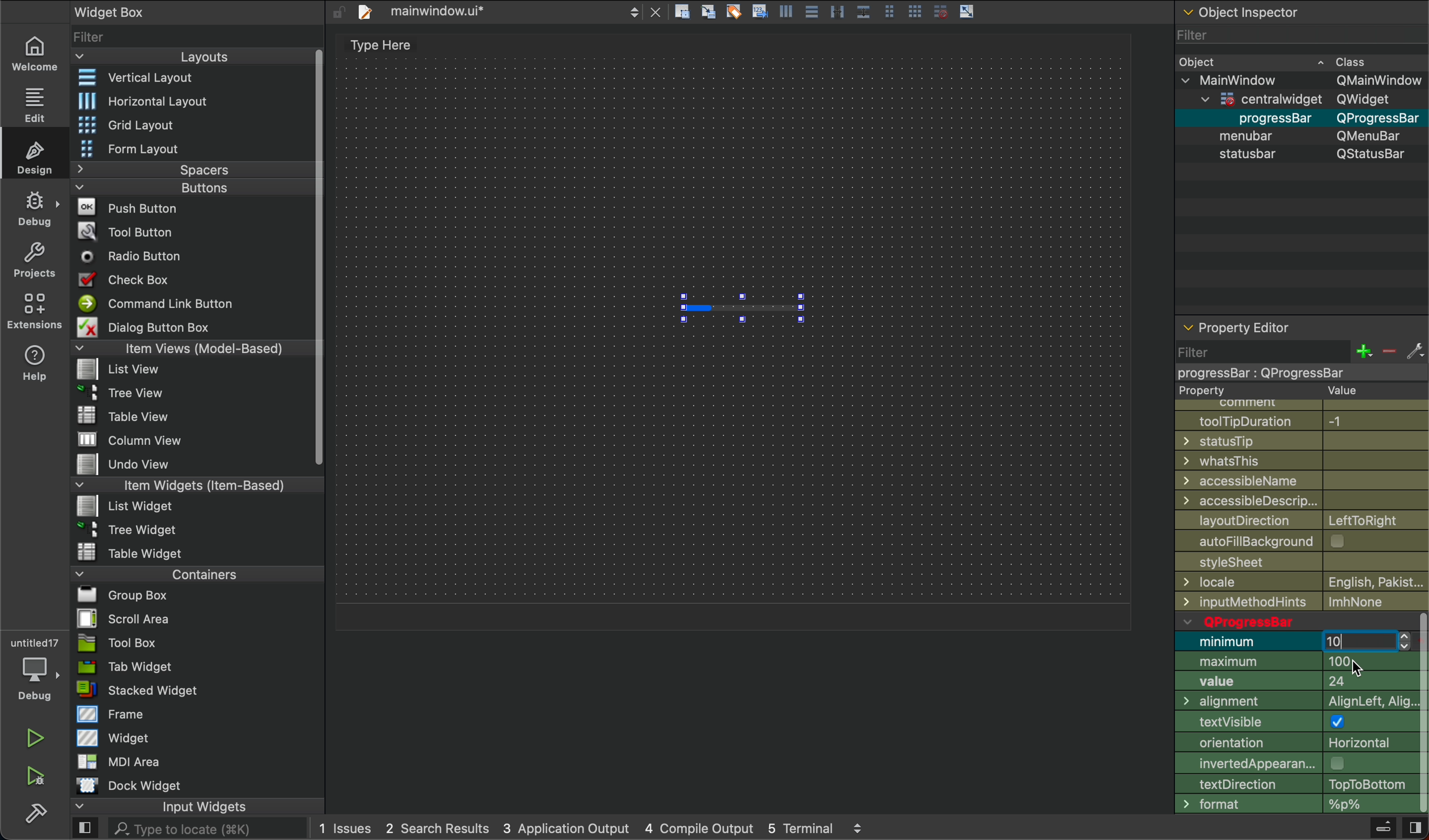  What do you see at coordinates (159, 807) in the screenshot?
I see `Input Widget` at bounding box center [159, 807].